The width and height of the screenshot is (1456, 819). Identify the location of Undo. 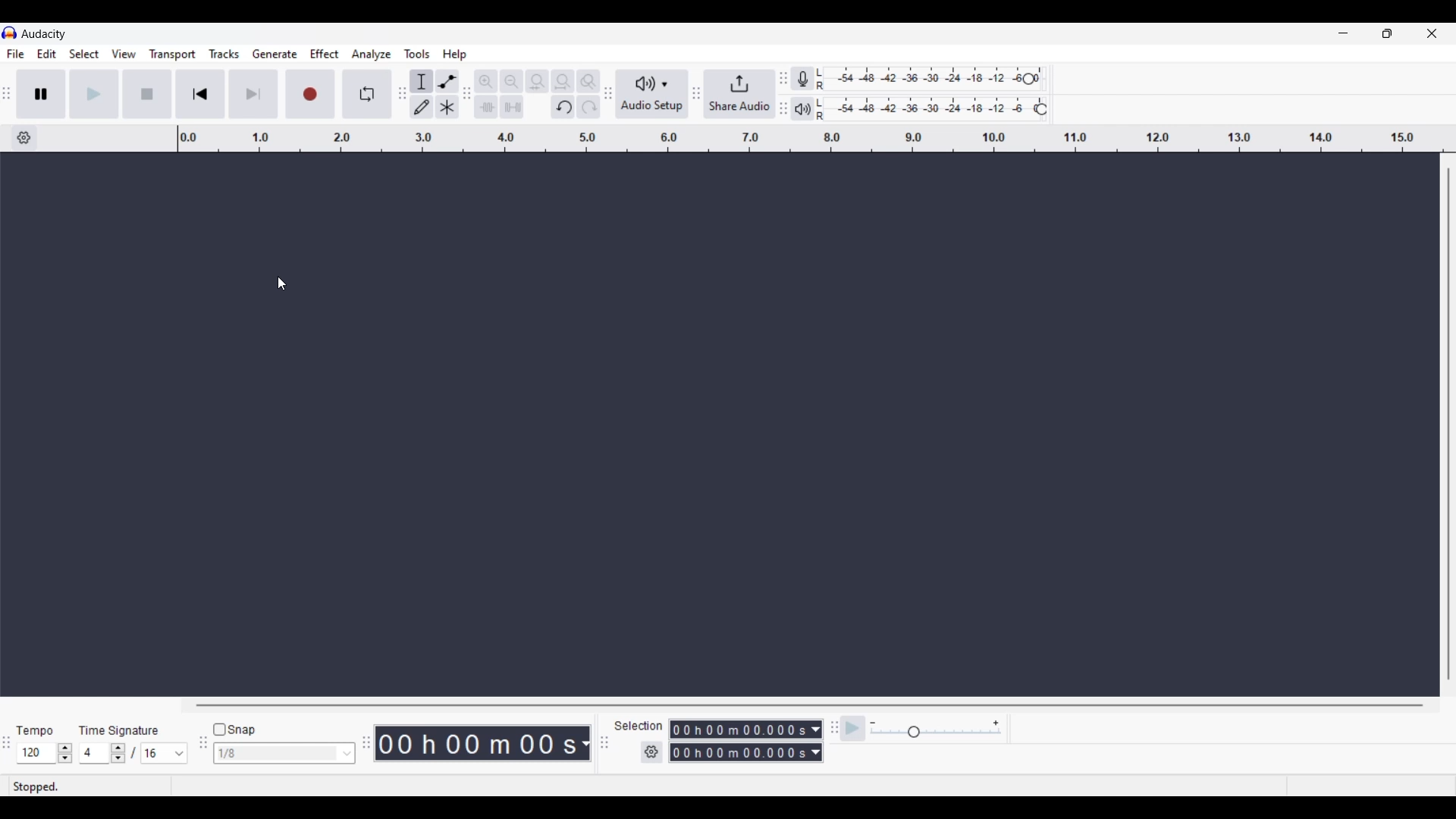
(563, 107).